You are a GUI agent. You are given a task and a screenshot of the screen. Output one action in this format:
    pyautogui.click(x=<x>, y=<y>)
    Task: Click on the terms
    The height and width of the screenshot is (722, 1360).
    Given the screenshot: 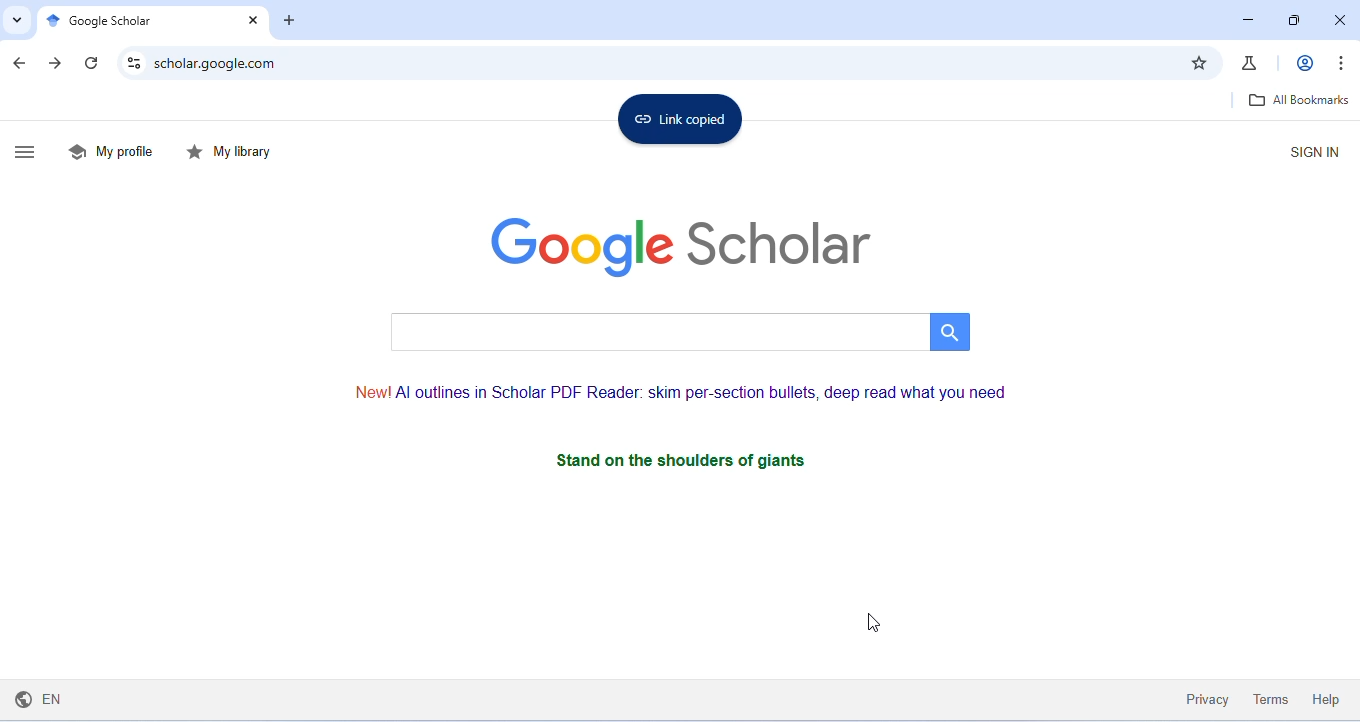 What is the action you would take?
    pyautogui.click(x=1272, y=698)
    